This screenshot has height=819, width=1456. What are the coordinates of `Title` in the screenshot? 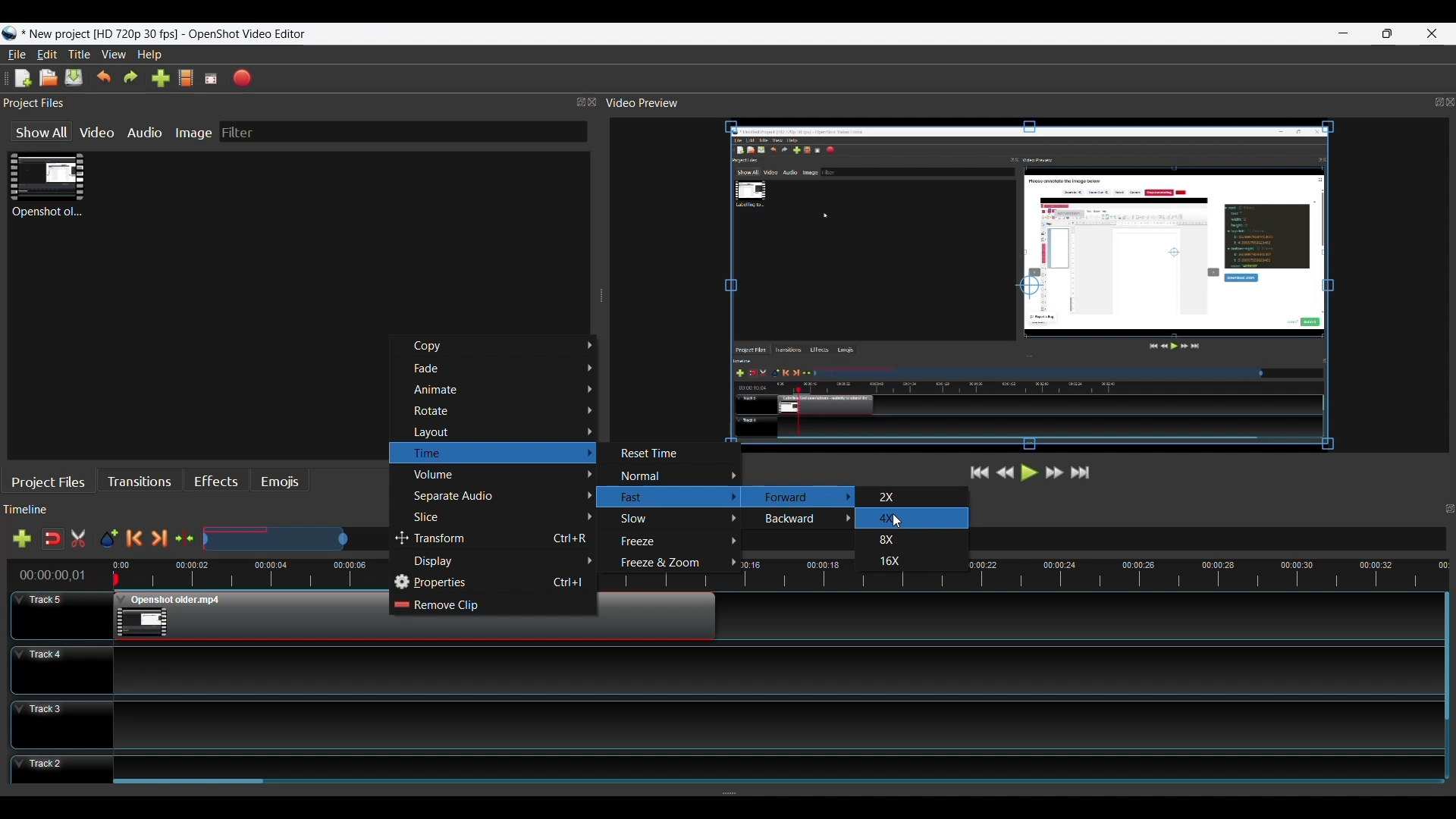 It's located at (81, 55).